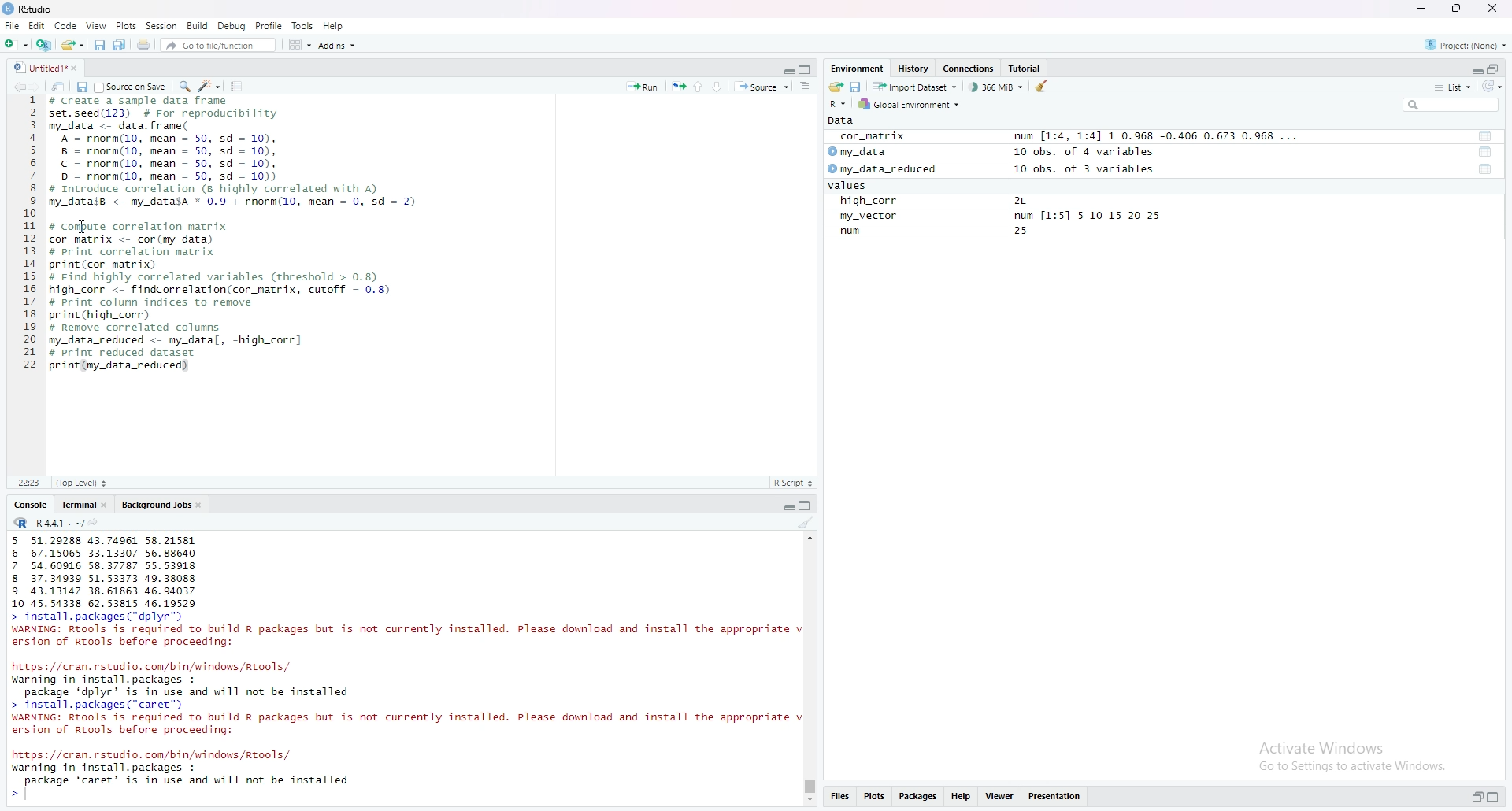  What do you see at coordinates (1027, 69) in the screenshot?
I see `Tutorial` at bounding box center [1027, 69].